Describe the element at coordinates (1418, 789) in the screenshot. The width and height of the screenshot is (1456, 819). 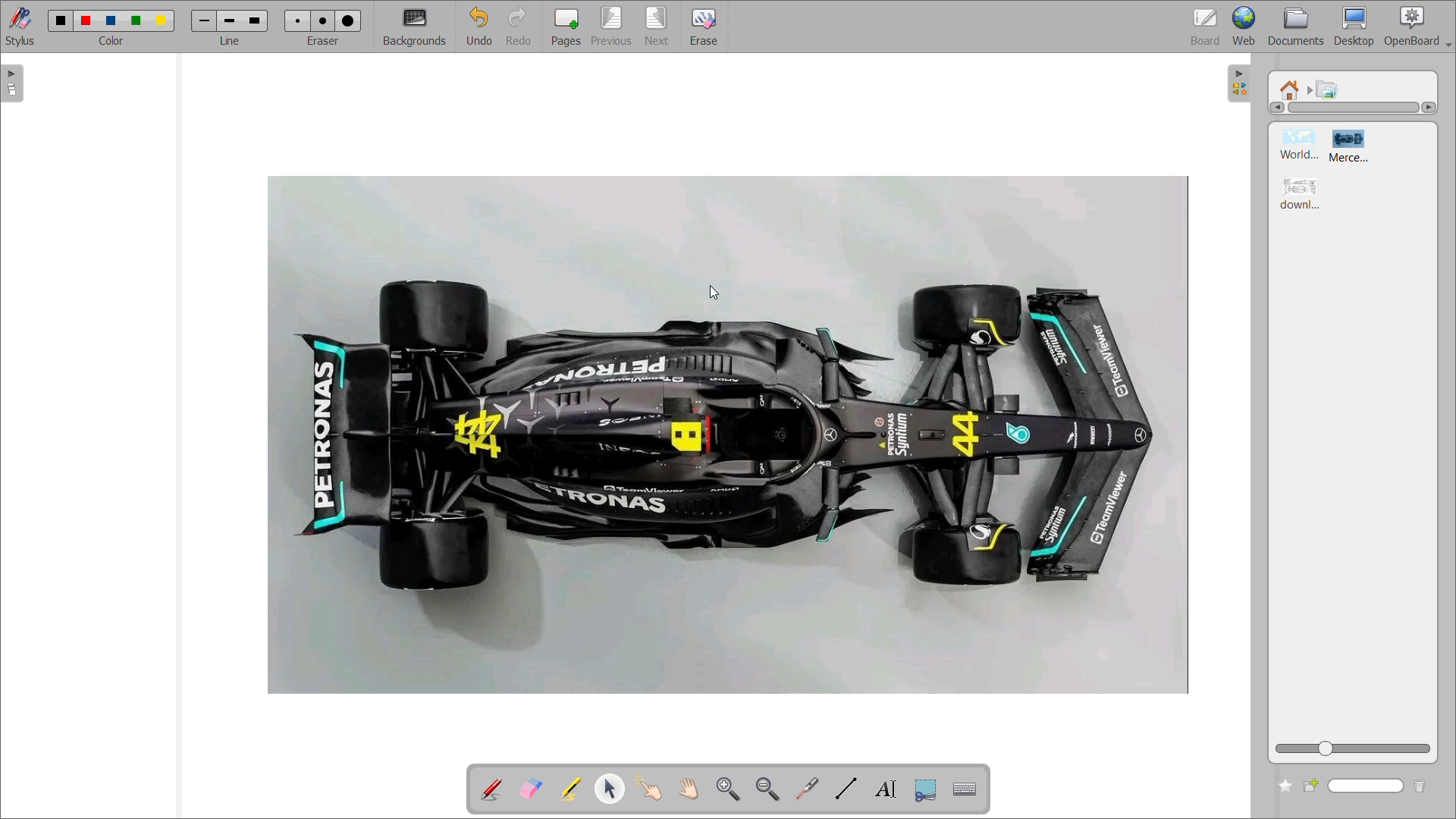
I see `delete` at that location.